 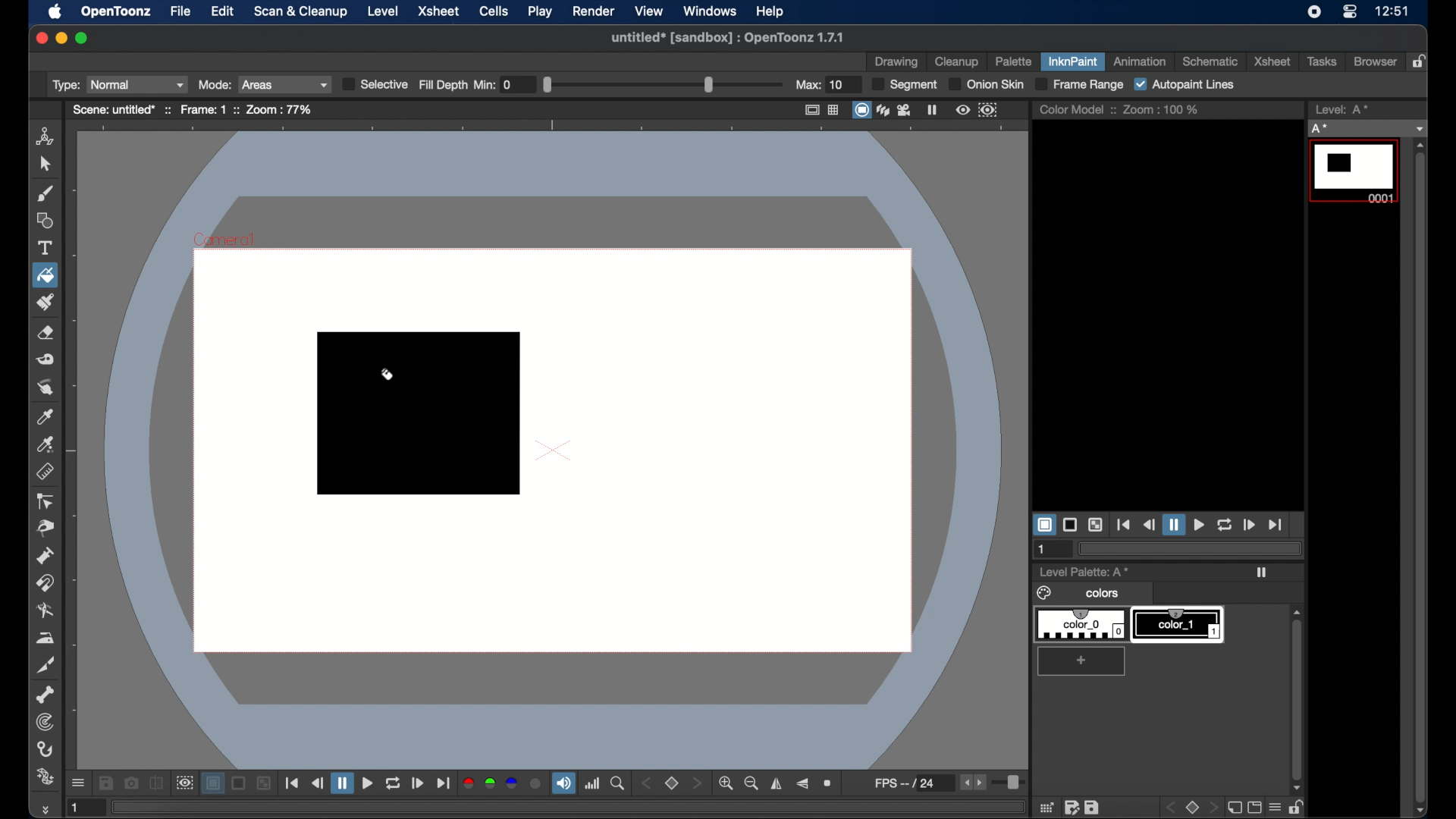 What do you see at coordinates (1210, 62) in the screenshot?
I see `schematic` at bounding box center [1210, 62].